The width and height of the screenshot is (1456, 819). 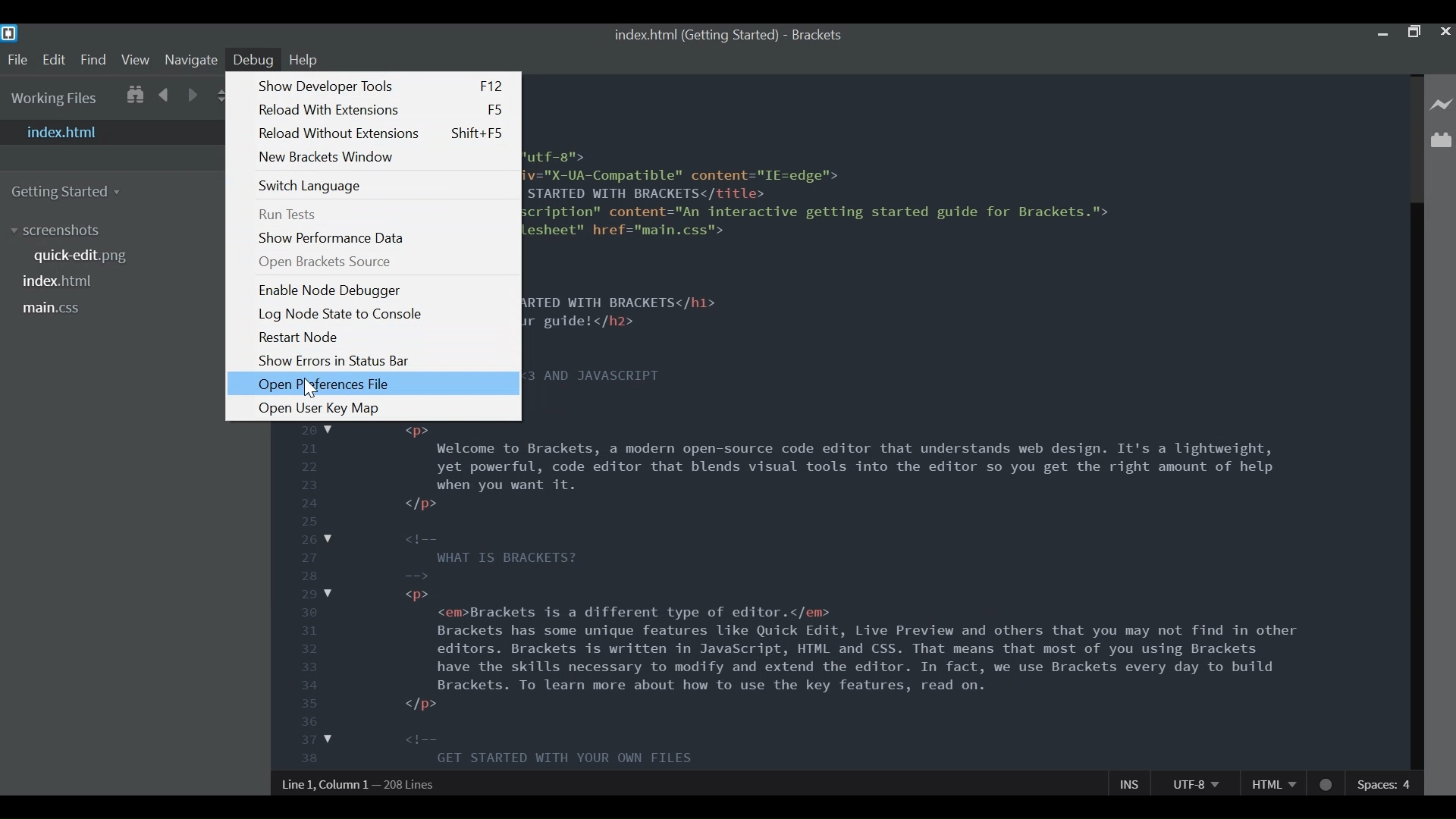 I want to click on Help, so click(x=306, y=61).